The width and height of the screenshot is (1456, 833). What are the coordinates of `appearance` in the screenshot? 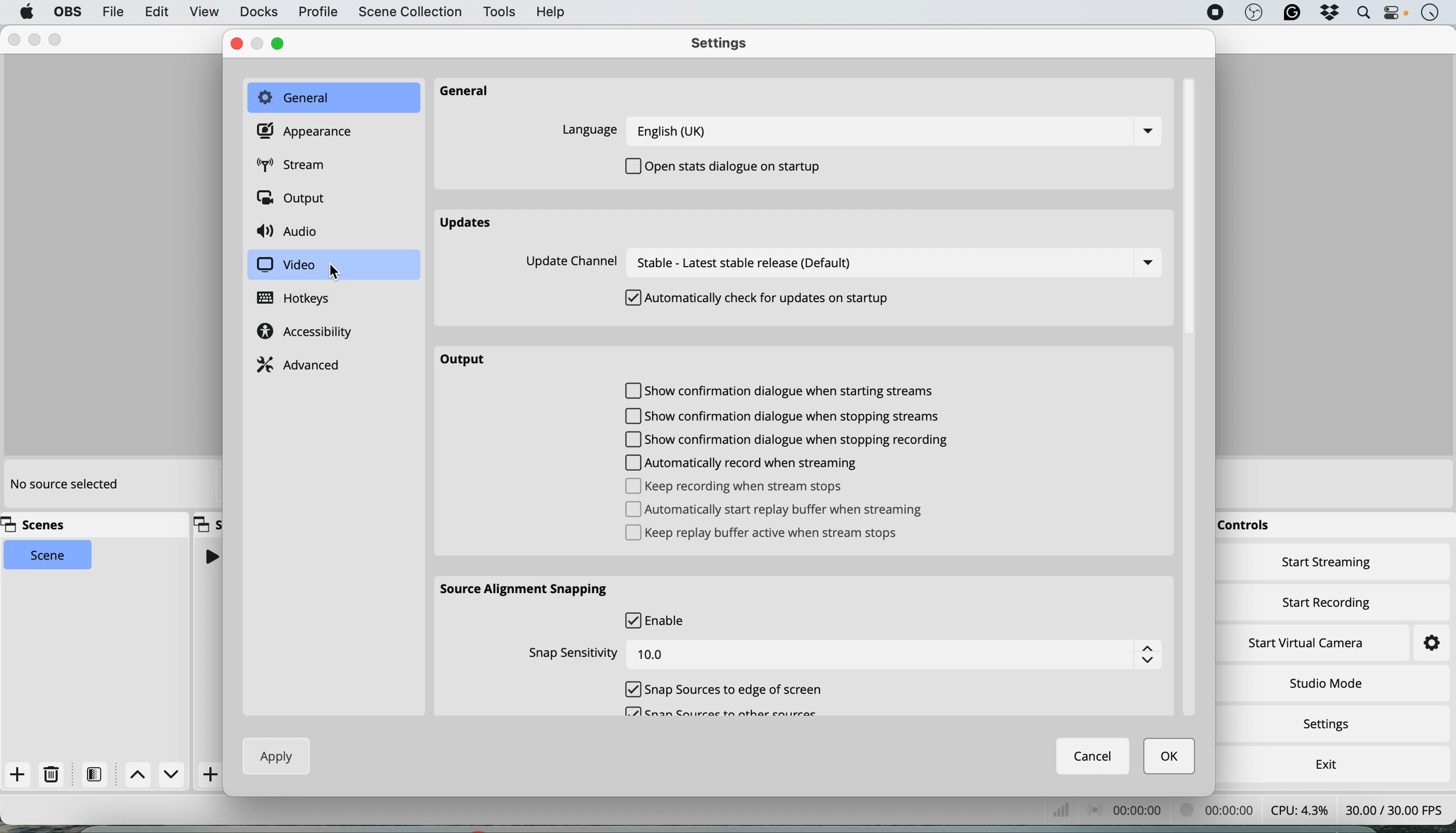 It's located at (308, 132).